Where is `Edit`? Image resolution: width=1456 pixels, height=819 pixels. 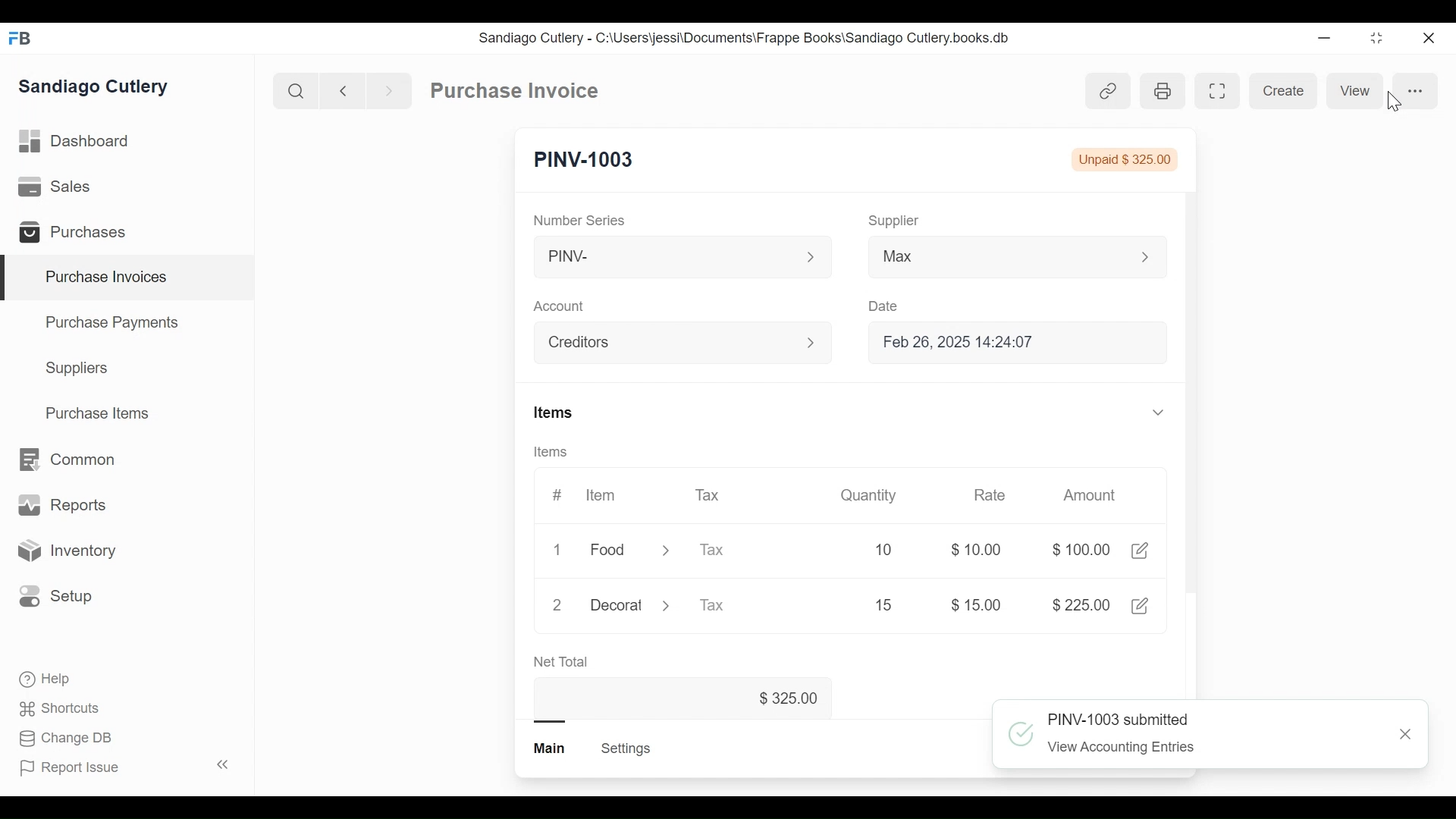 Edit is located at coordinates (1139, 551).